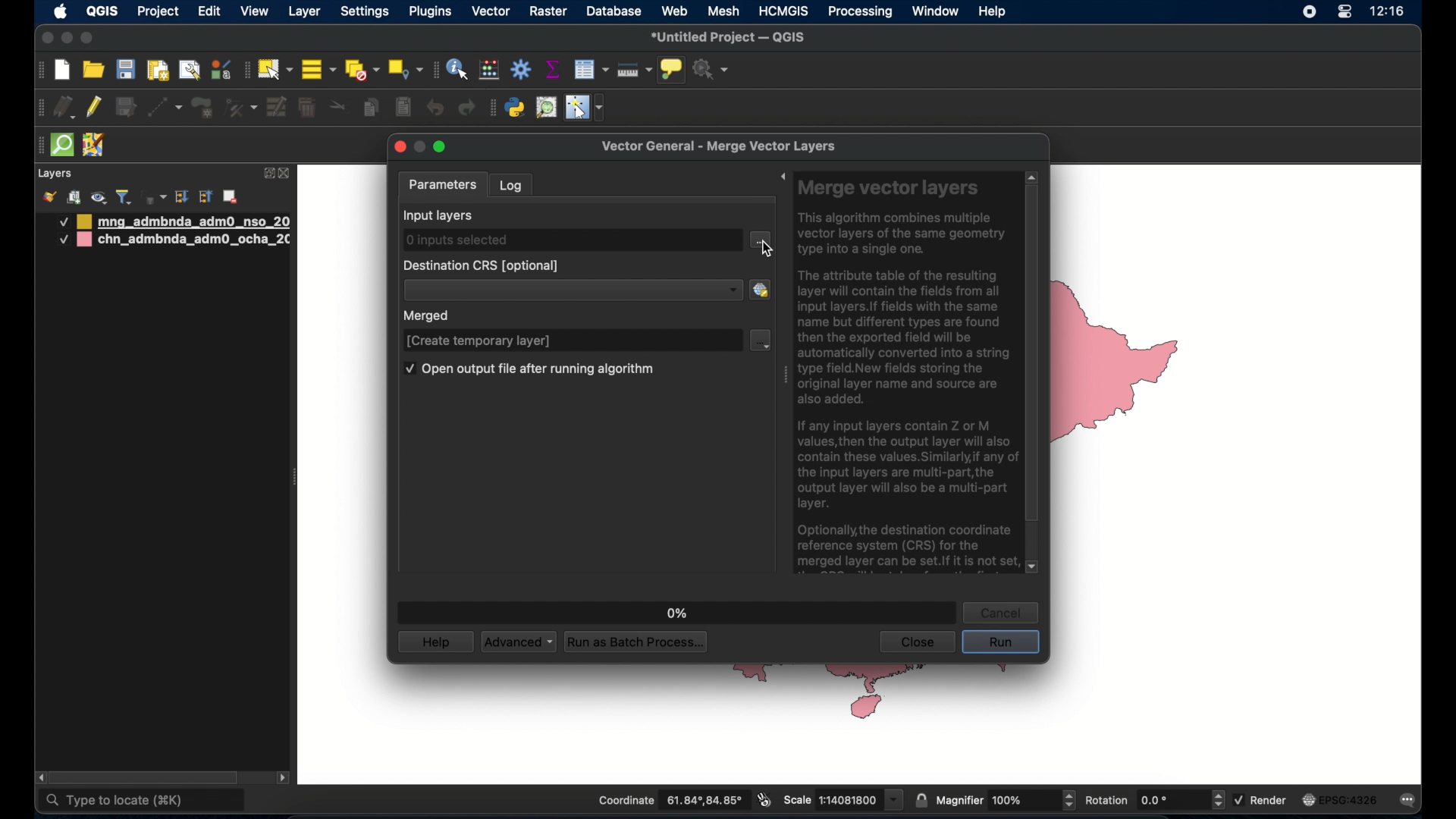  I want to click on toolbox, so click(522, 70).